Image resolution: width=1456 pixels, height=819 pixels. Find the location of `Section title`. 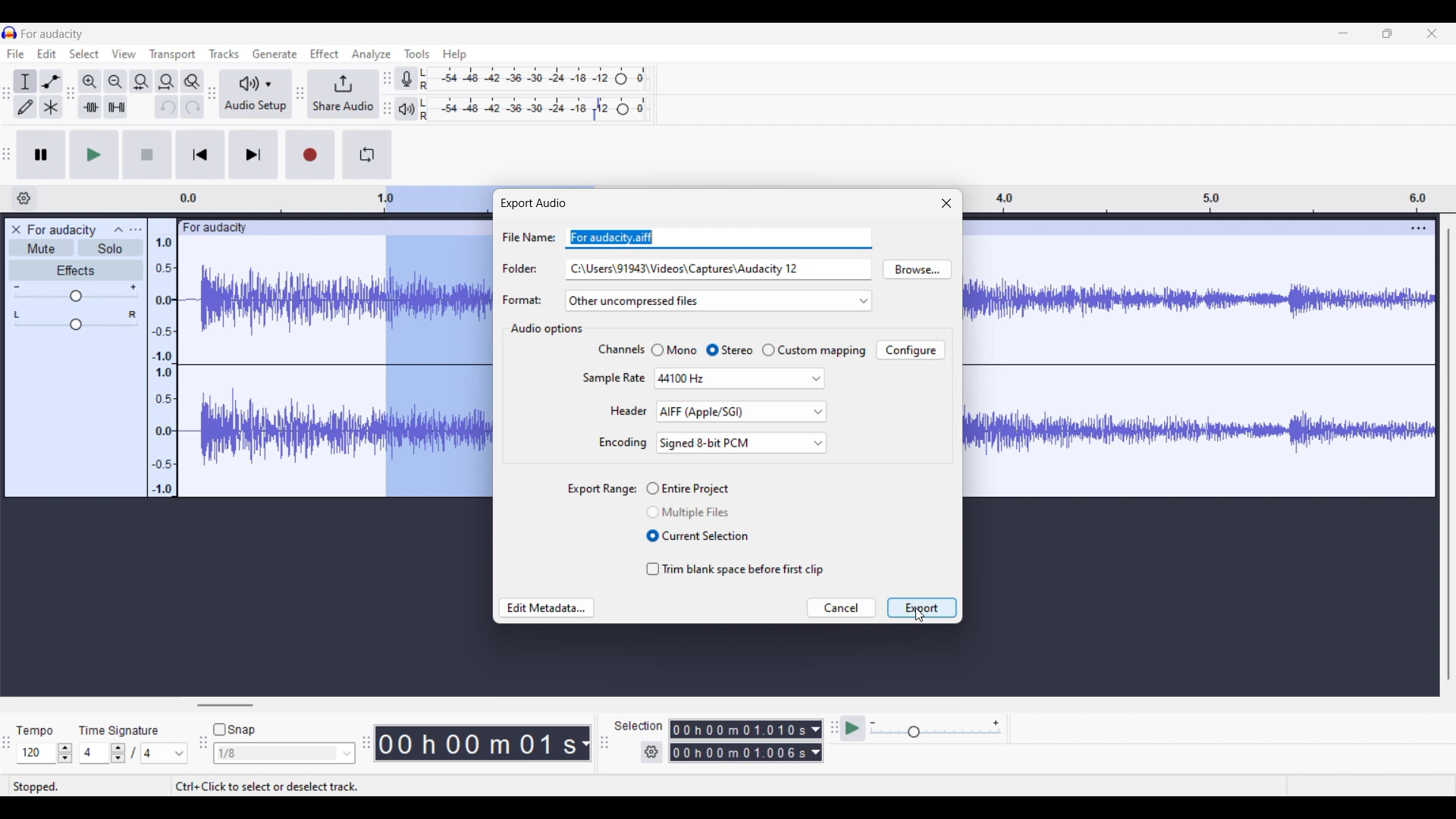

Section title is located at coordinates (547, 330).